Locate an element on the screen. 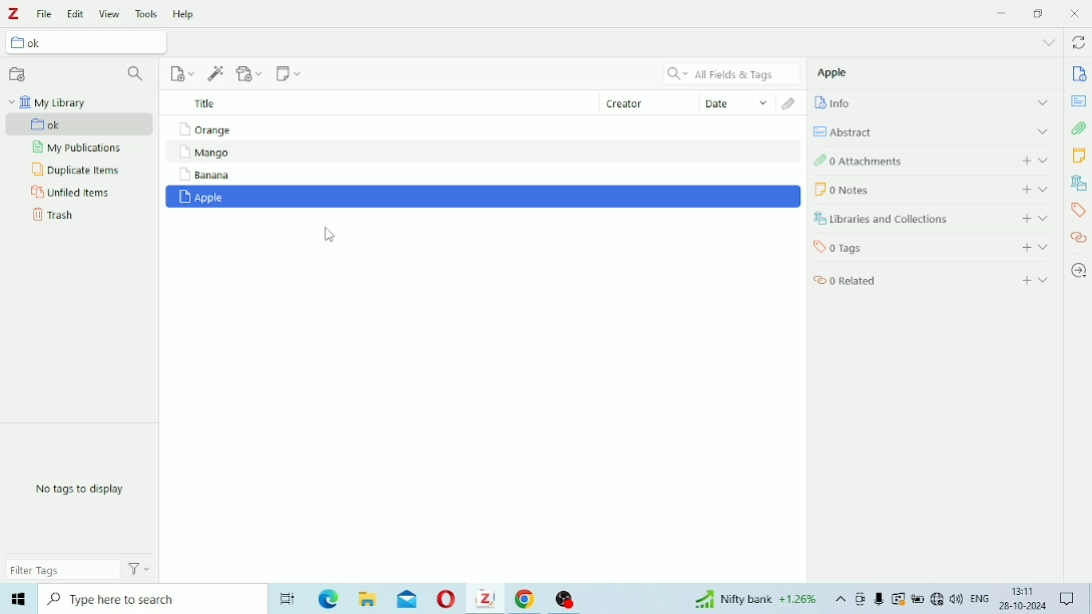  Tags is located at coordinates (881, 248).